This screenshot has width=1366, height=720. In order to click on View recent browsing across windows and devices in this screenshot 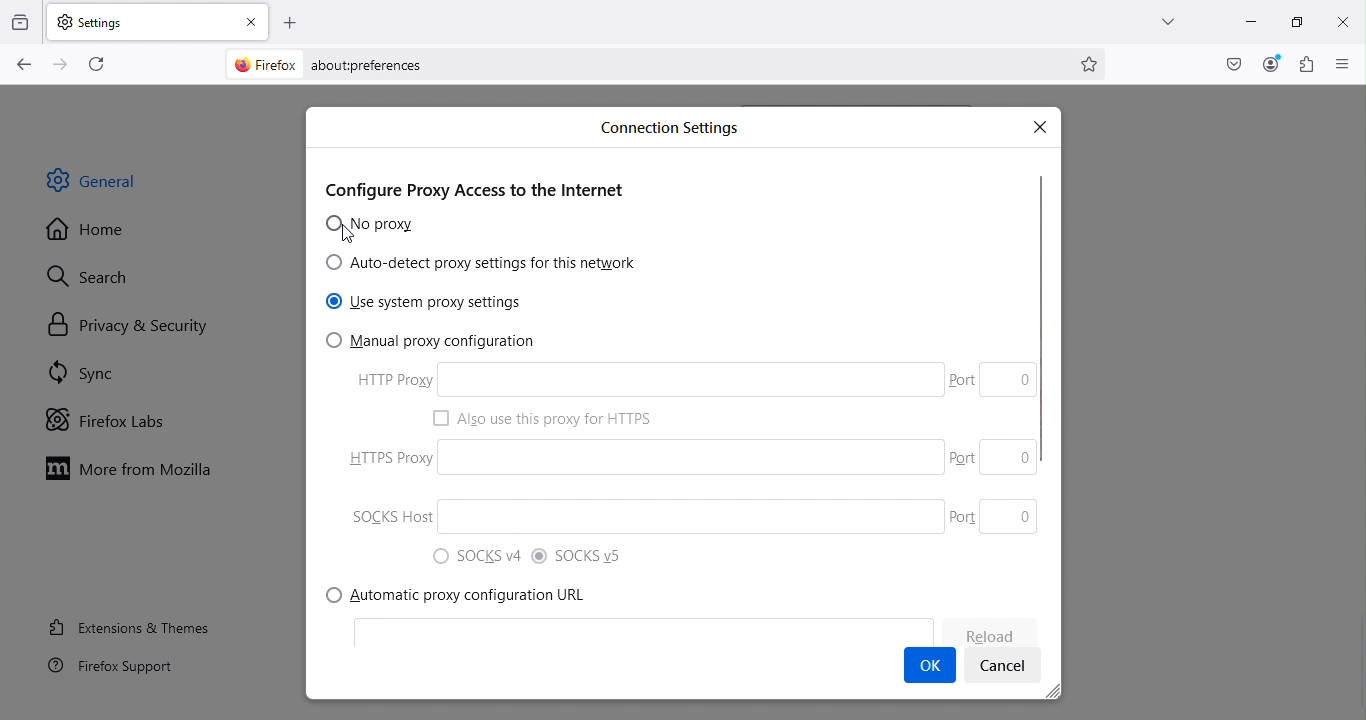, I will do `click(21, 18)`.